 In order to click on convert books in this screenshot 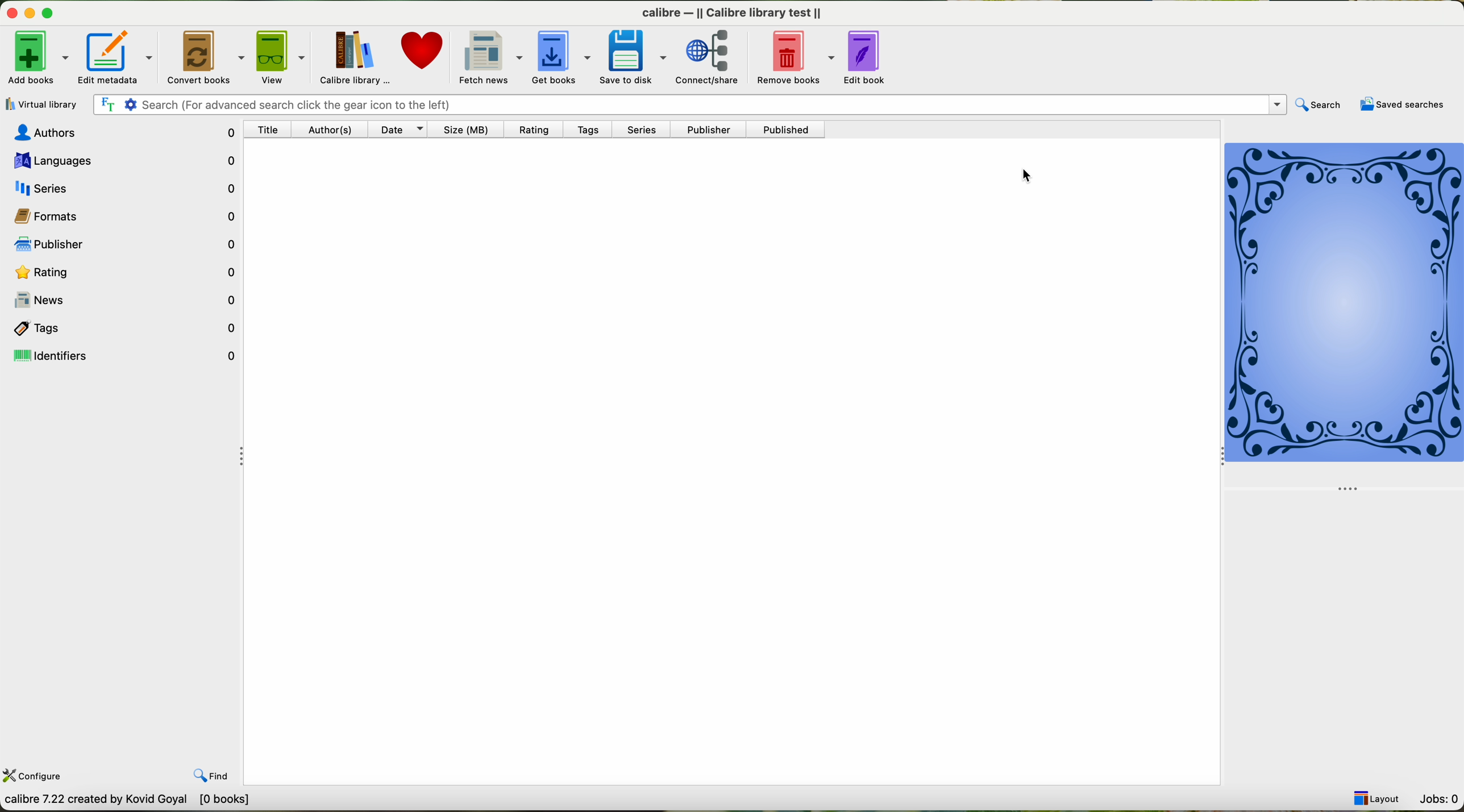, I will do `click(207, 57)`.